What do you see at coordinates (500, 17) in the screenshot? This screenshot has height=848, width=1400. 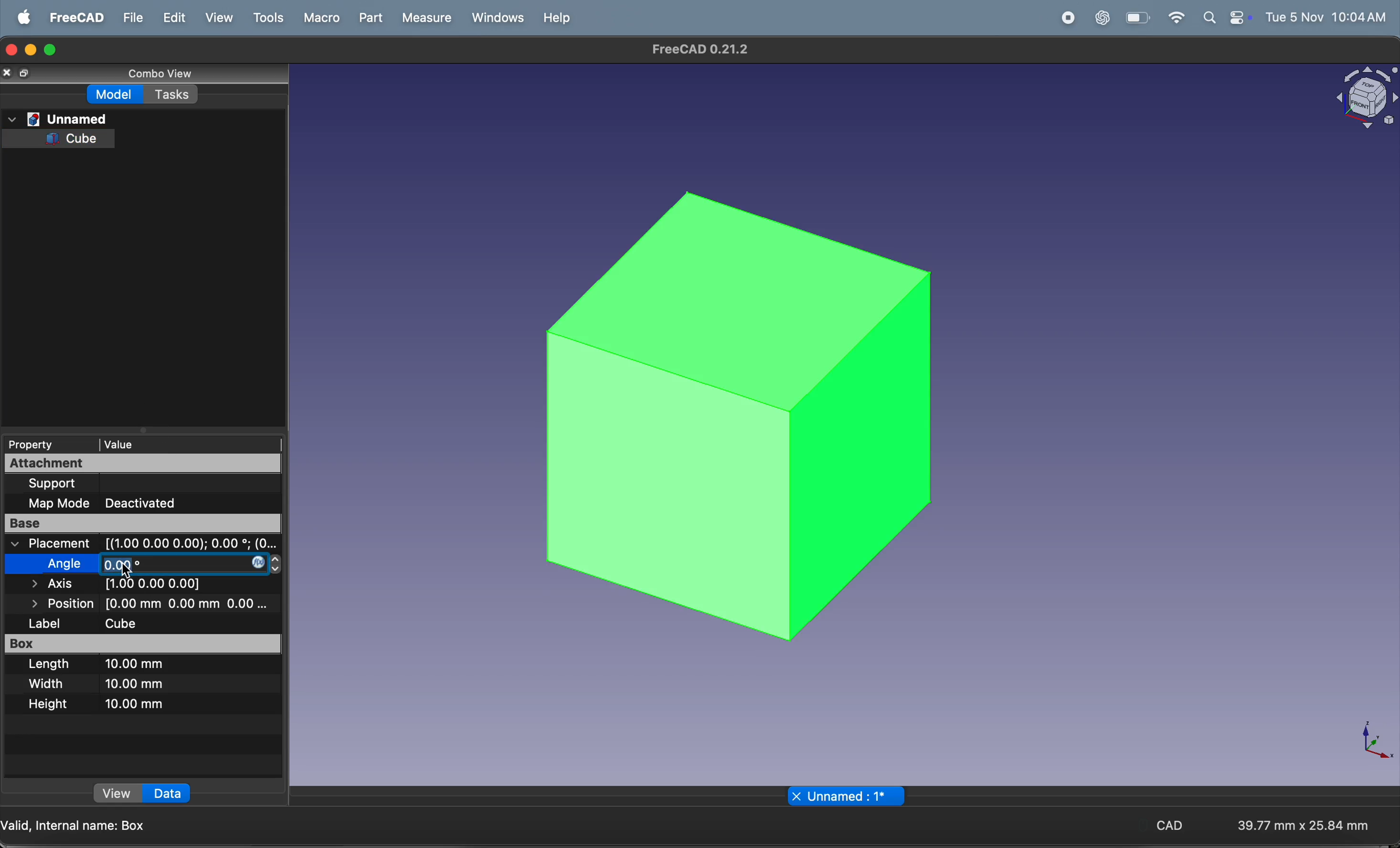 I see `windows` at bounding box center [500, 17].